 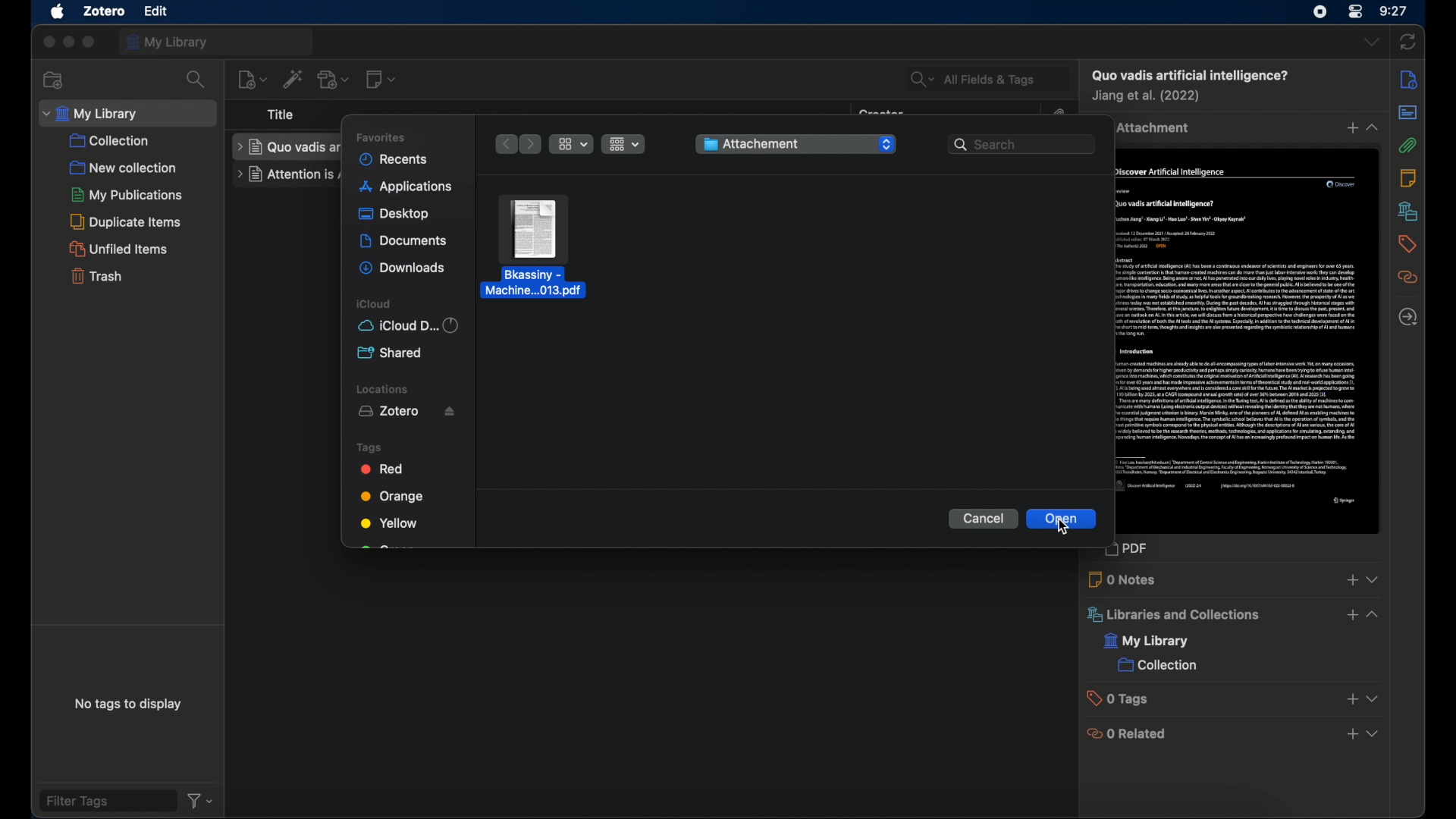 I want to click on zotero, so click(x=105, y=11).